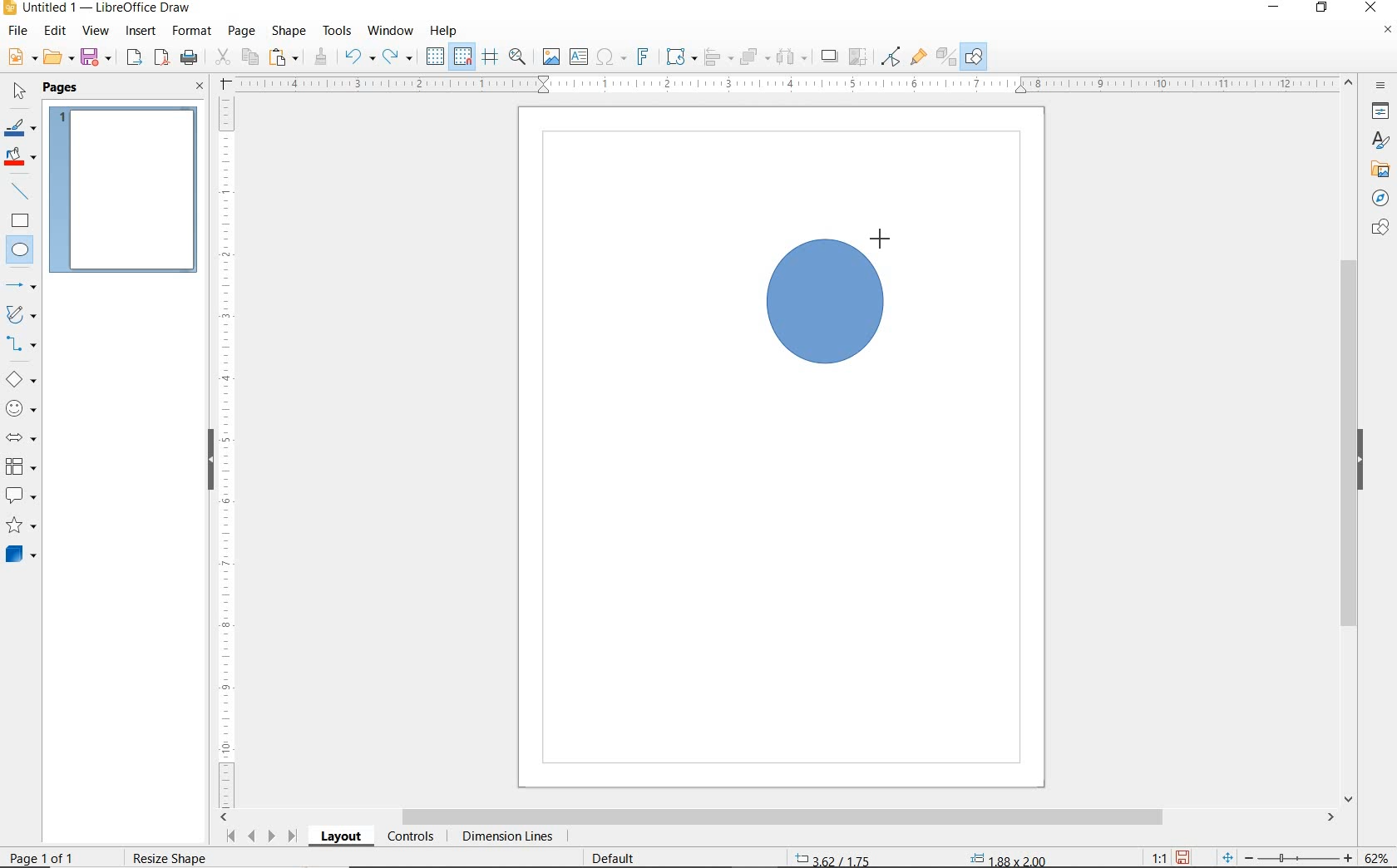 The height and width of the screenshot is (868, 1397). Describe the element at coordinates (124, 195) in the screenshot. I see `PAGE 1` at that location.